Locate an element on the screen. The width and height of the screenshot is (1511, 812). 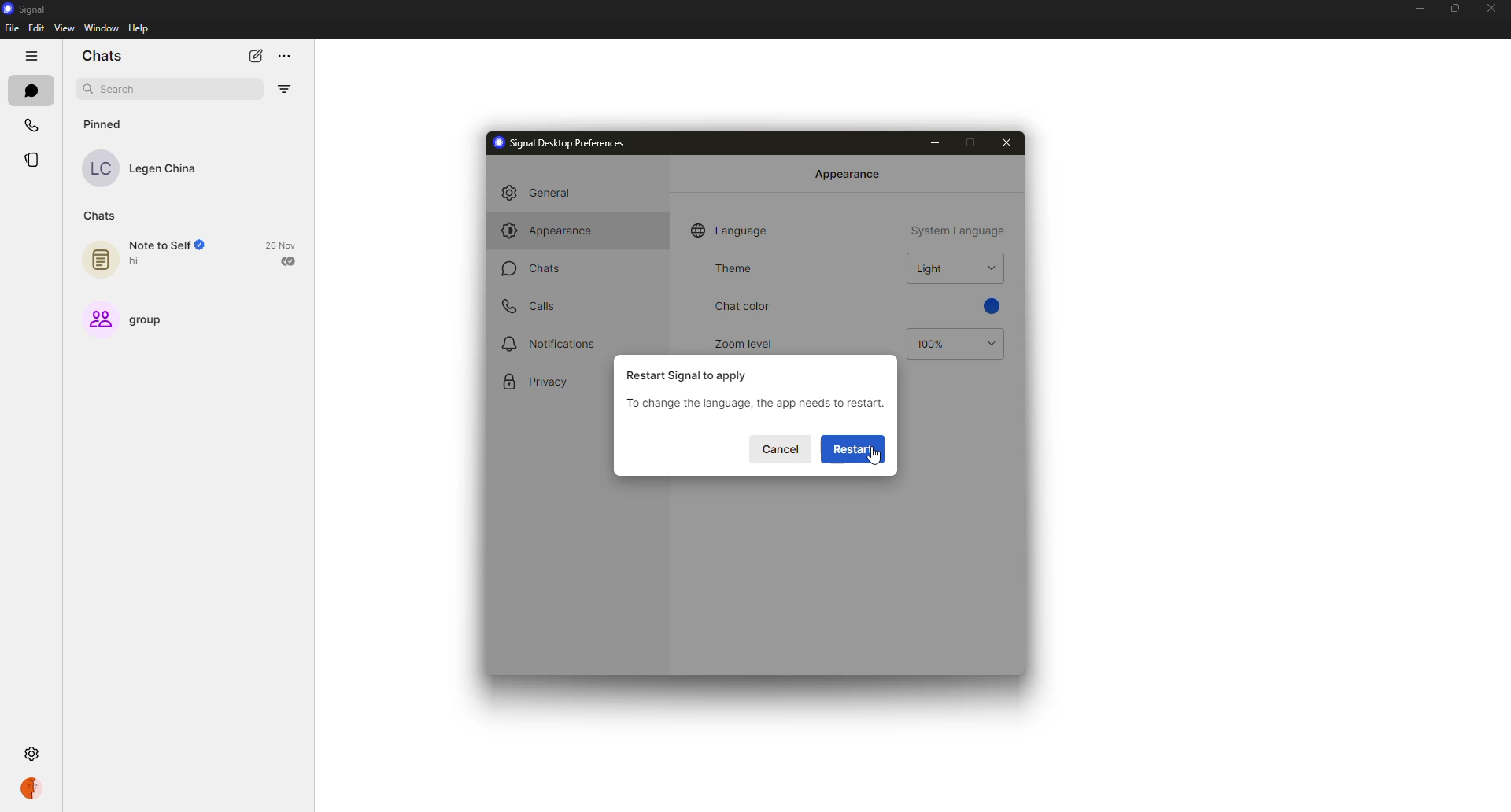
profile is located at coordinates (34, 788).